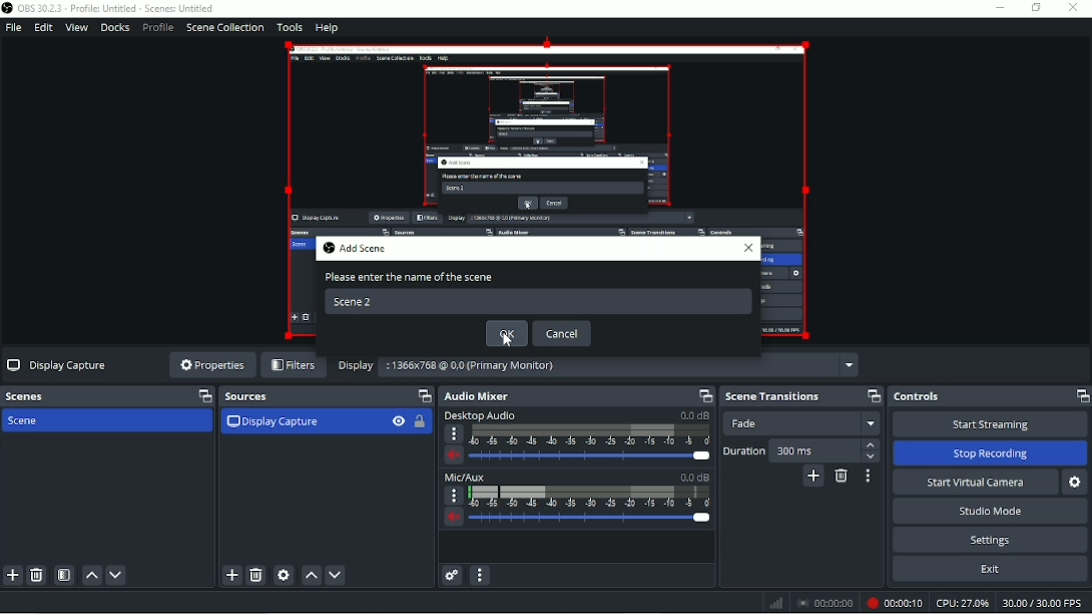 The height and width of the screenshot is (614, 1092). What do you see at coordinates (273, 423) in the screenshot?
I see `Display capture` at bounding box center [273, 423].